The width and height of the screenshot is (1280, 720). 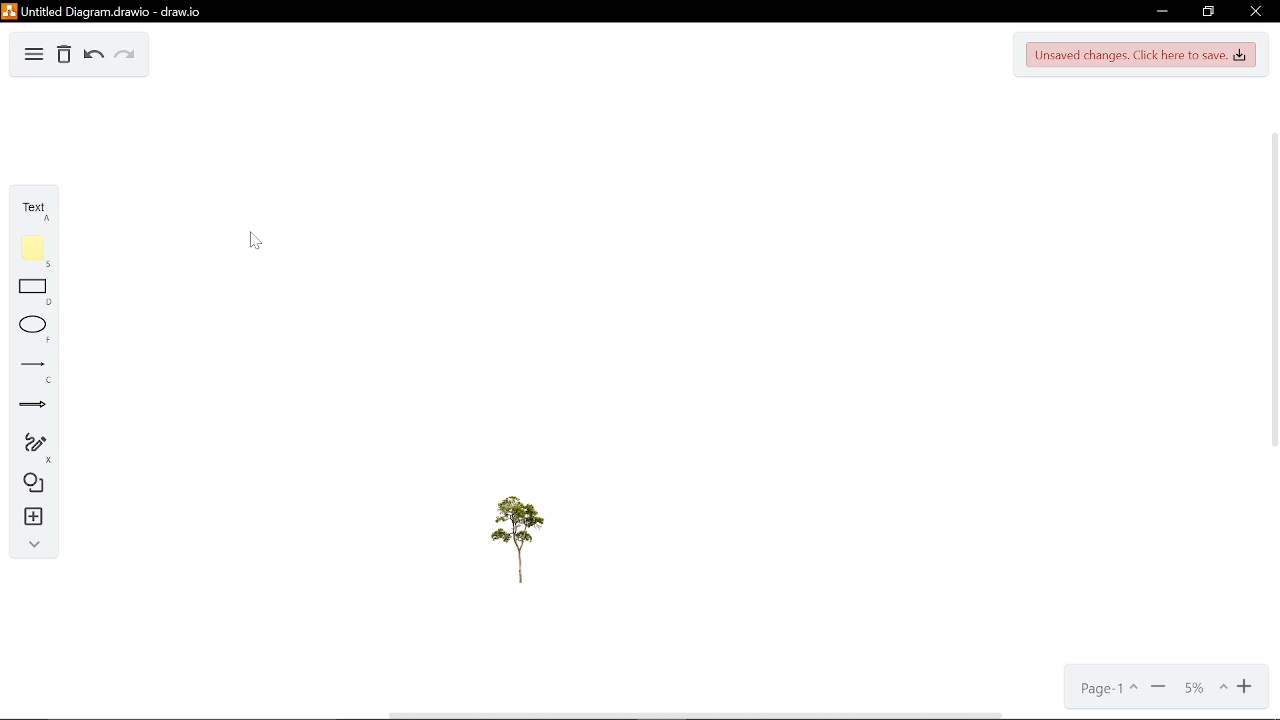 I want to click on Zoom out, so click(x=1160, y=690).